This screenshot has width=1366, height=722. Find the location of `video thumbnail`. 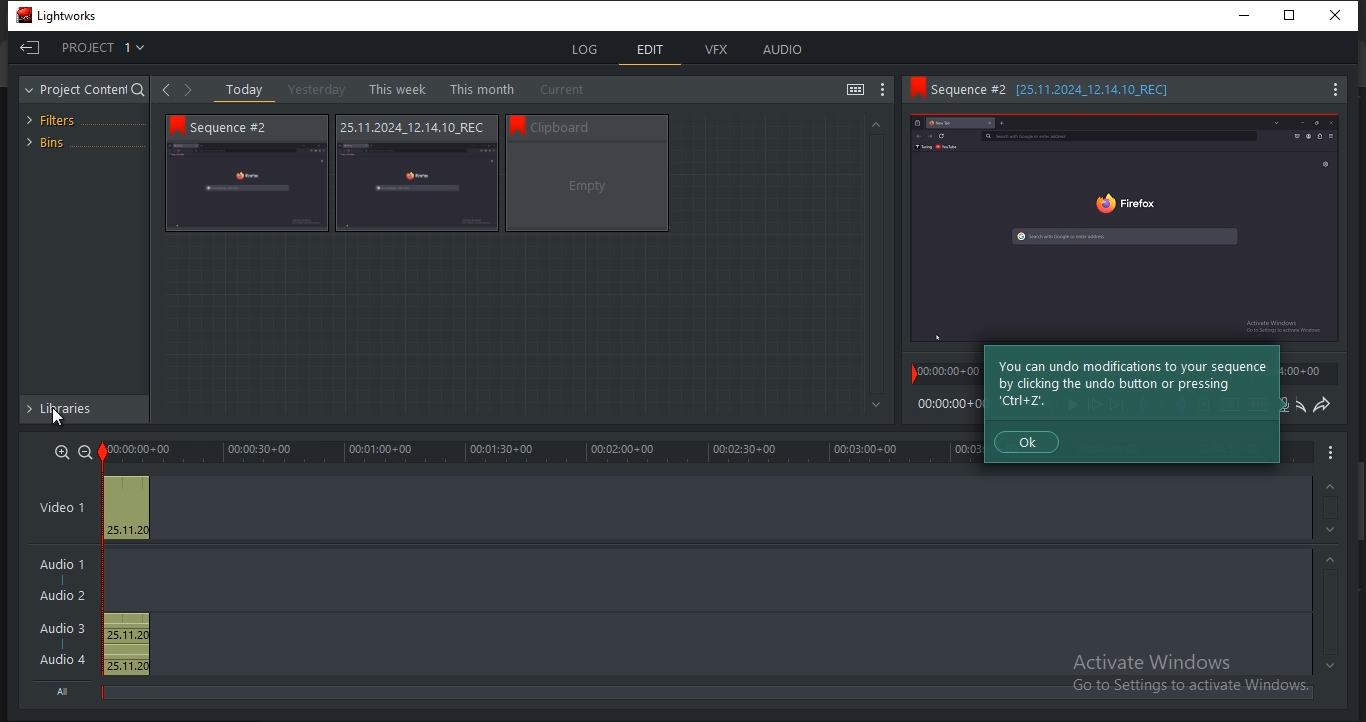

video thumbnail is located at coordinates (587, 186).